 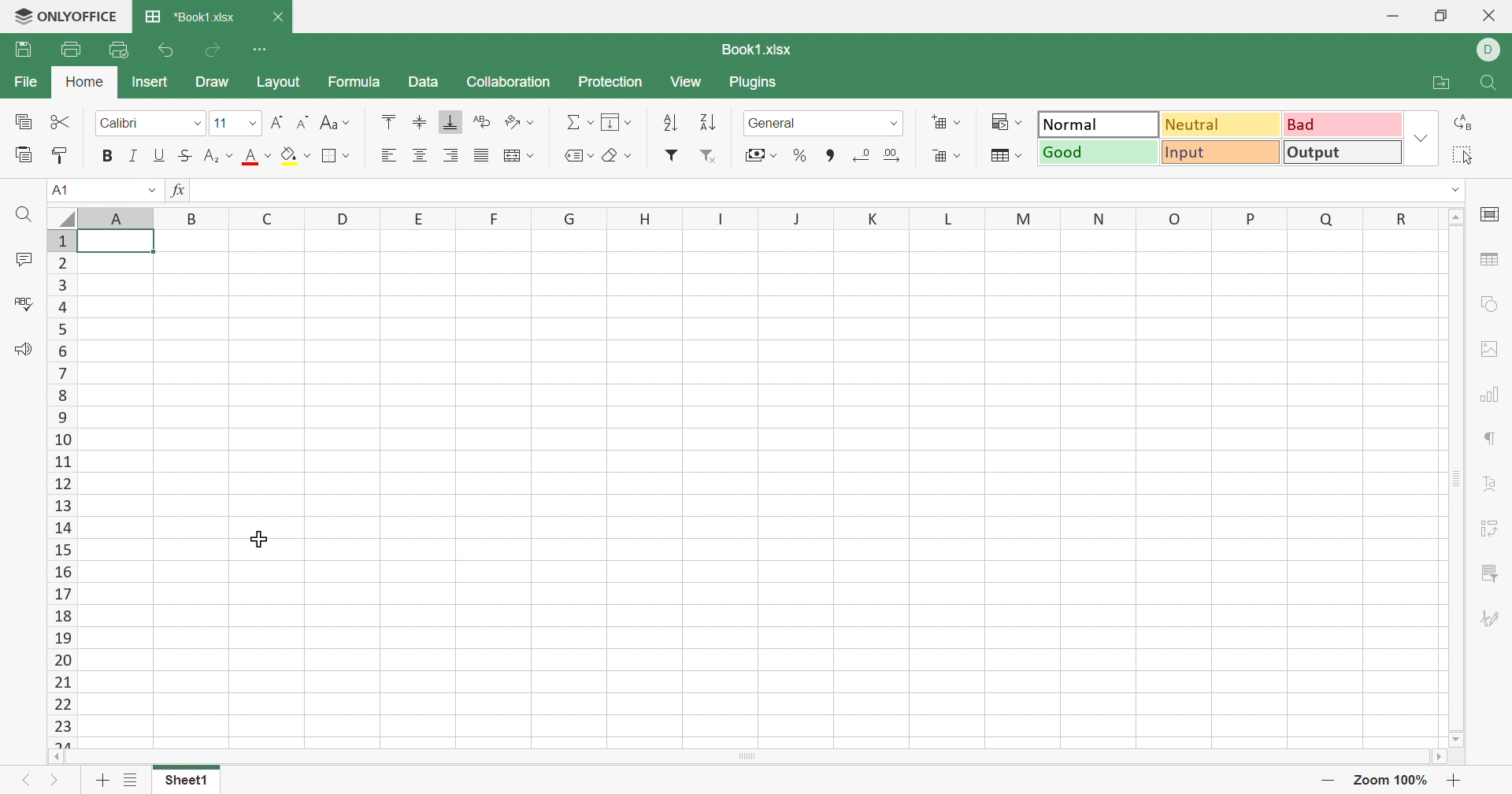 I want to click on Restore Down, so click(x=1443, y=13).